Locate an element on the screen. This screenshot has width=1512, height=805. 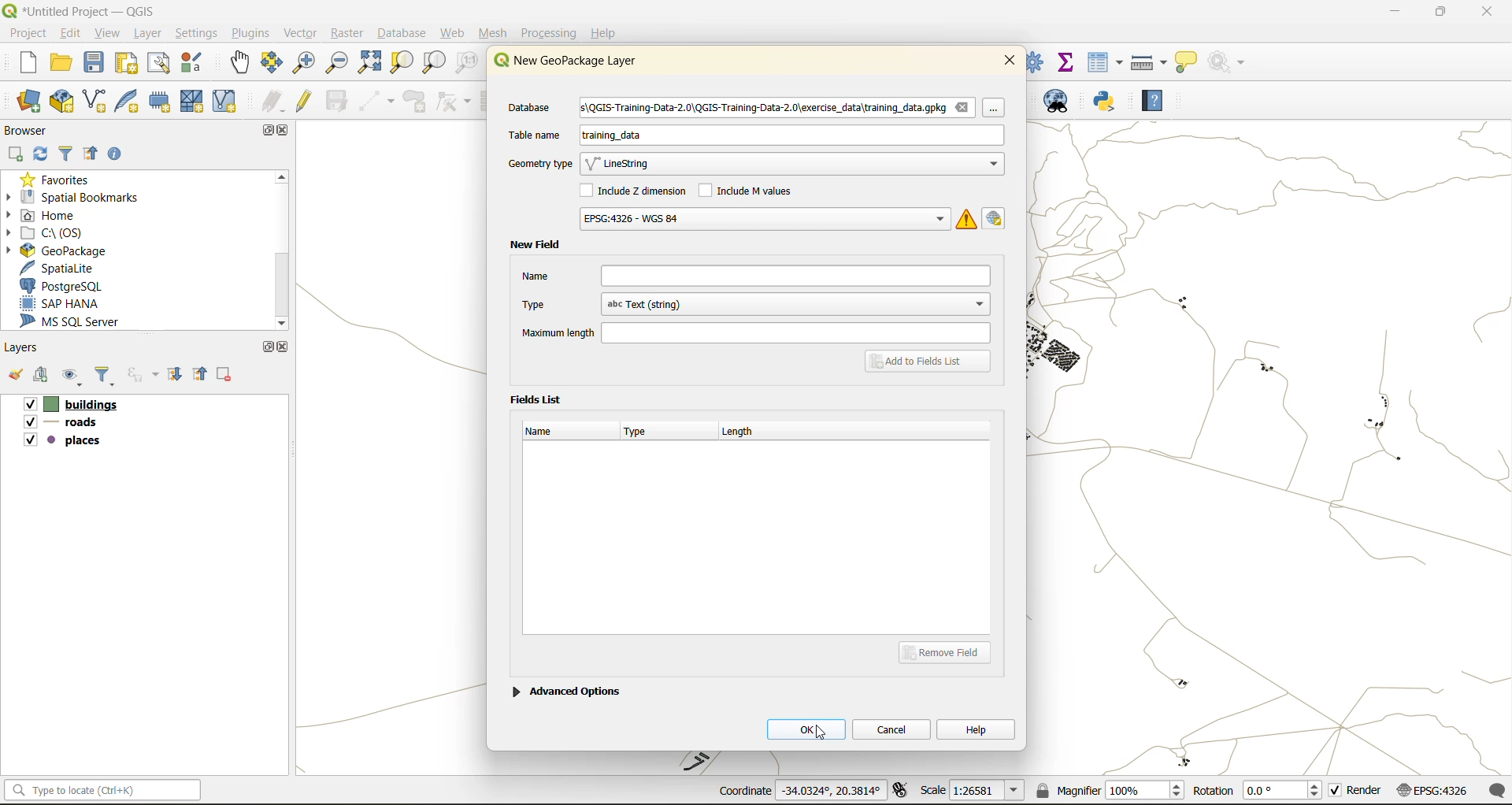
zoom full is located at coordinates (369, 63).